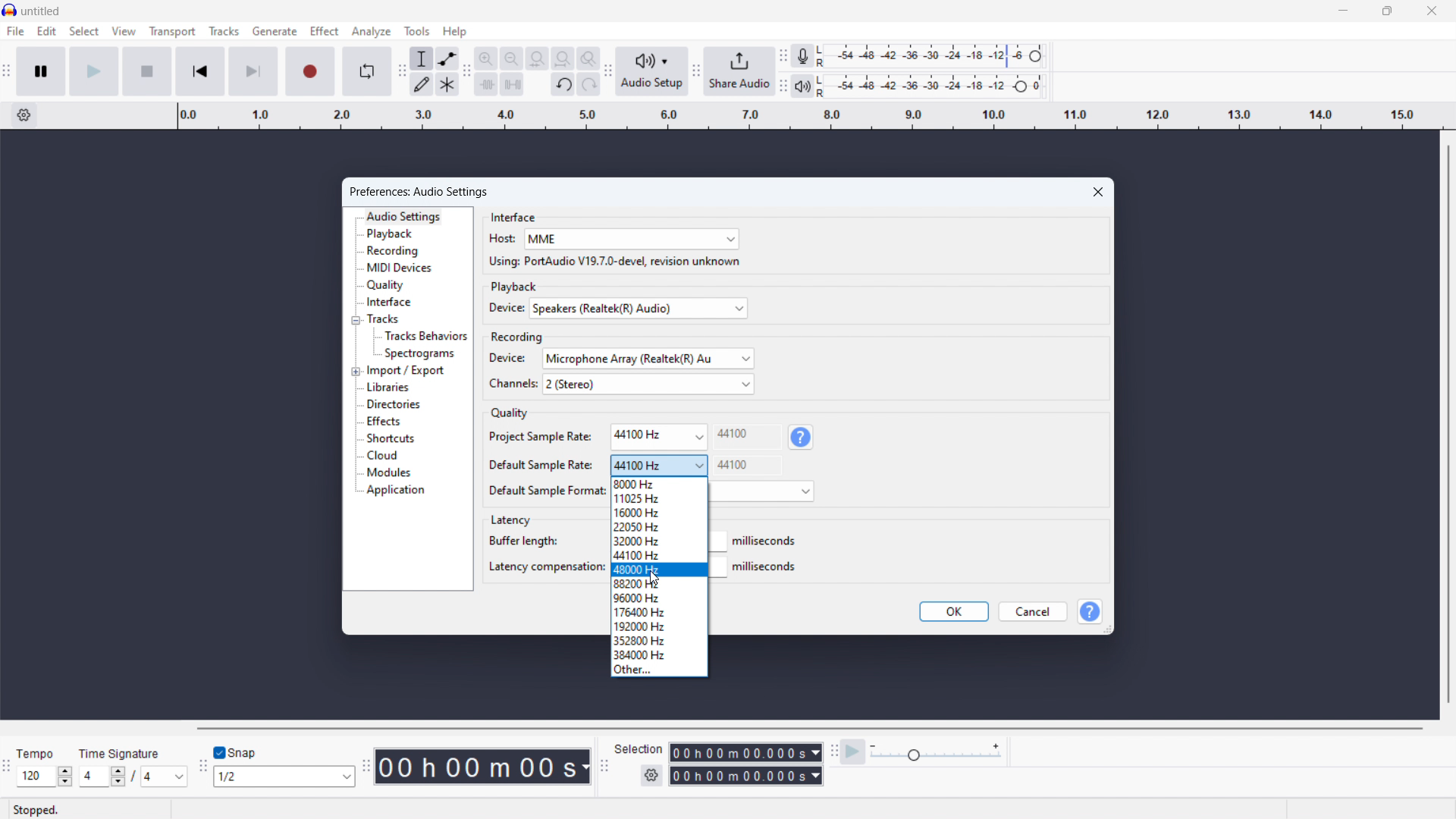 The height and width of the screenshot is (819, 1456). I want to click on quality, so click(387, 285).